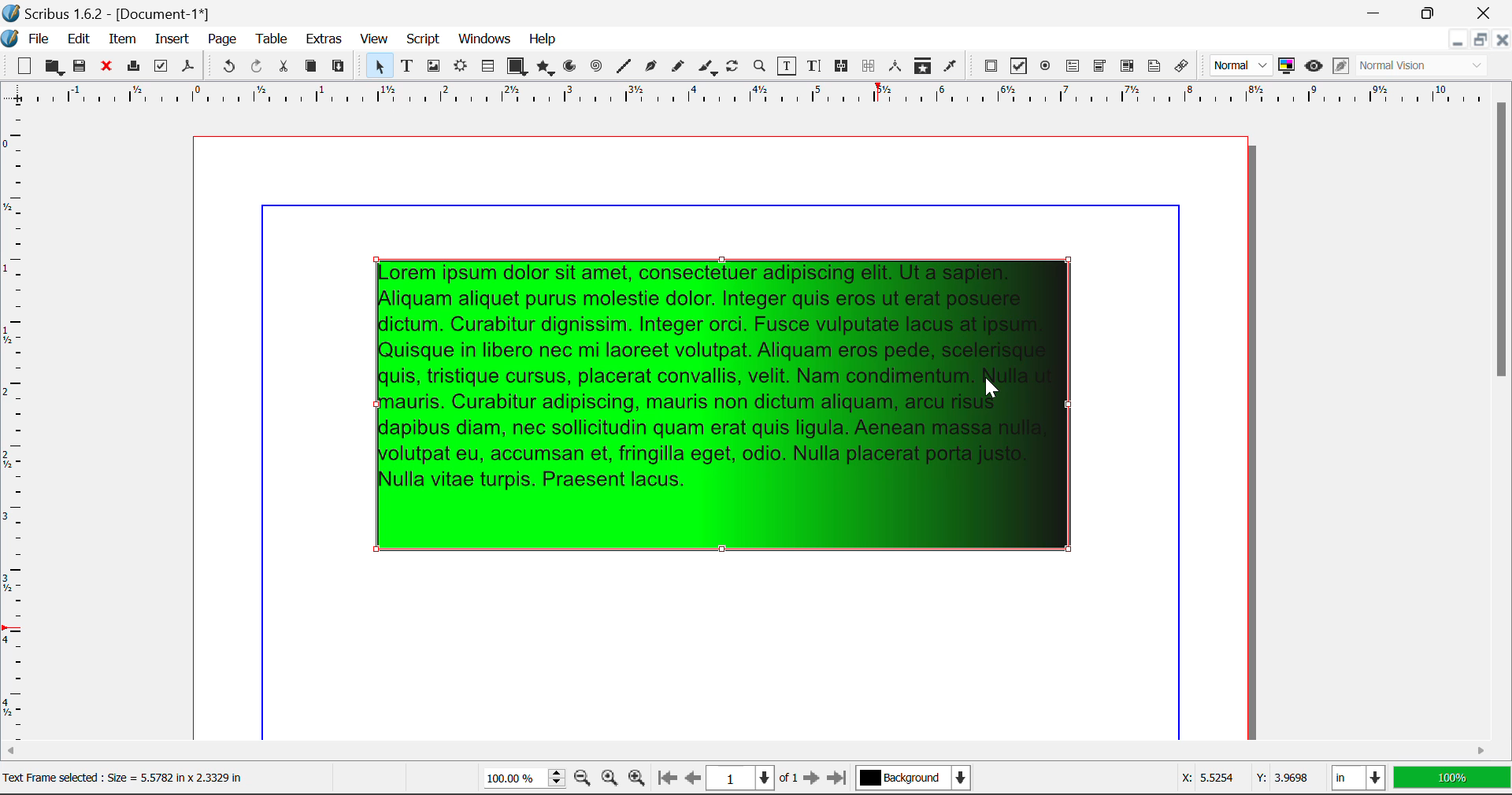 The width and height of the screenshot is (1512, 795). Describe the element at coordinates (1128, 66) in the screenshot. I see `PDF List Box` at that location.